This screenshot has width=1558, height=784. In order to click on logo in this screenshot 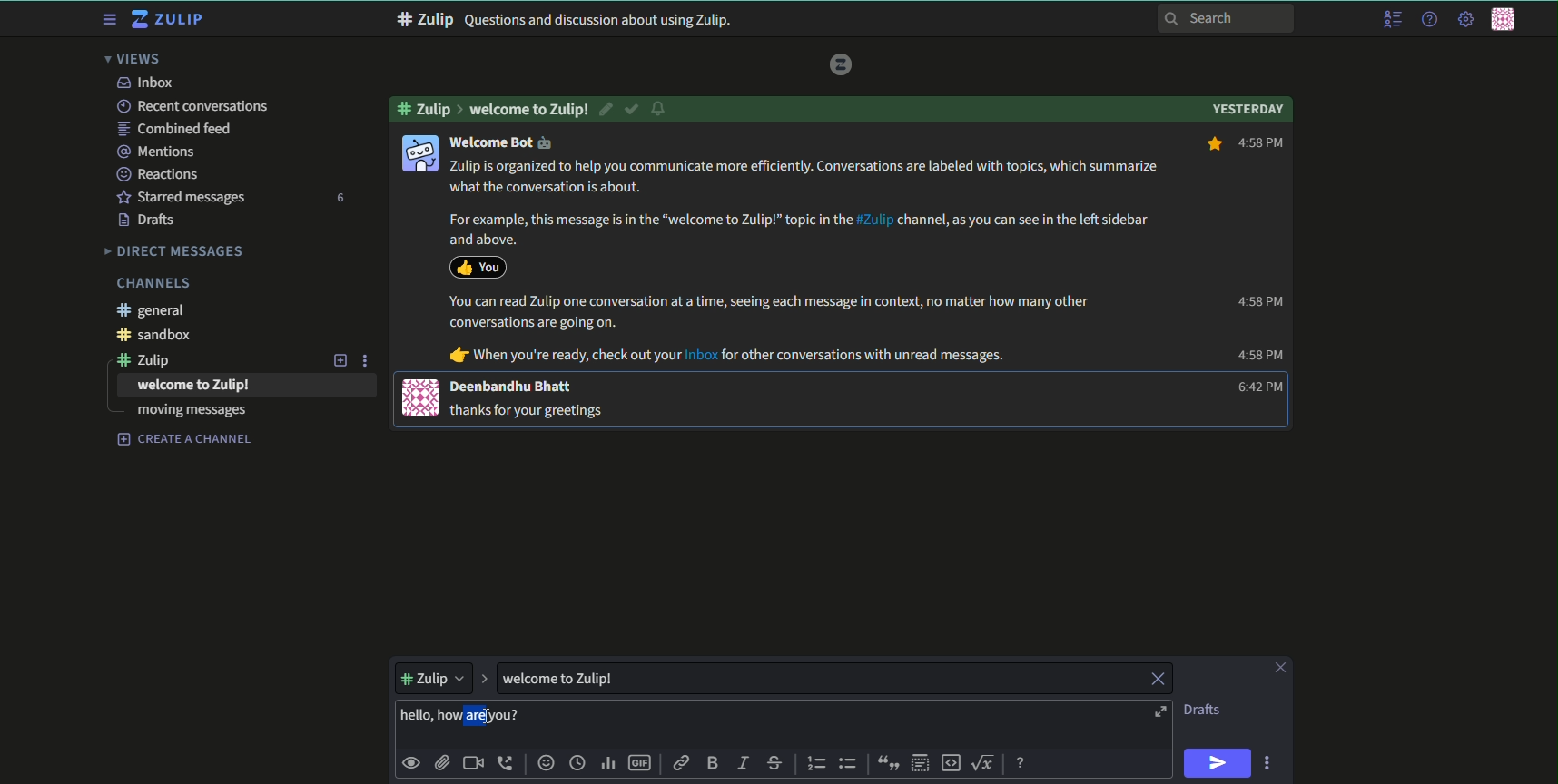, I will do `click(842, 64)`.